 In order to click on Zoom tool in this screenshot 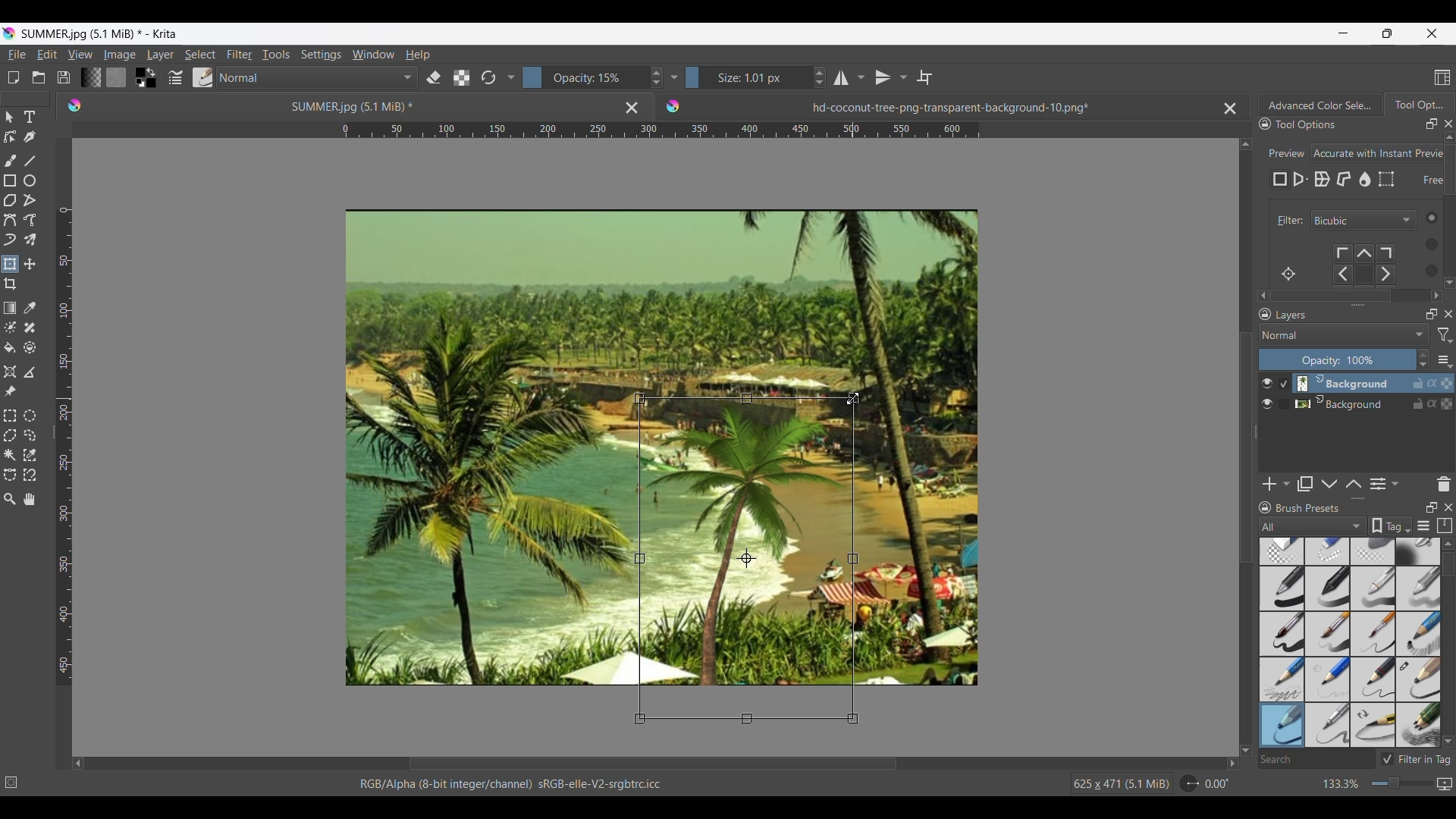, I will do `click(10, 499)`.